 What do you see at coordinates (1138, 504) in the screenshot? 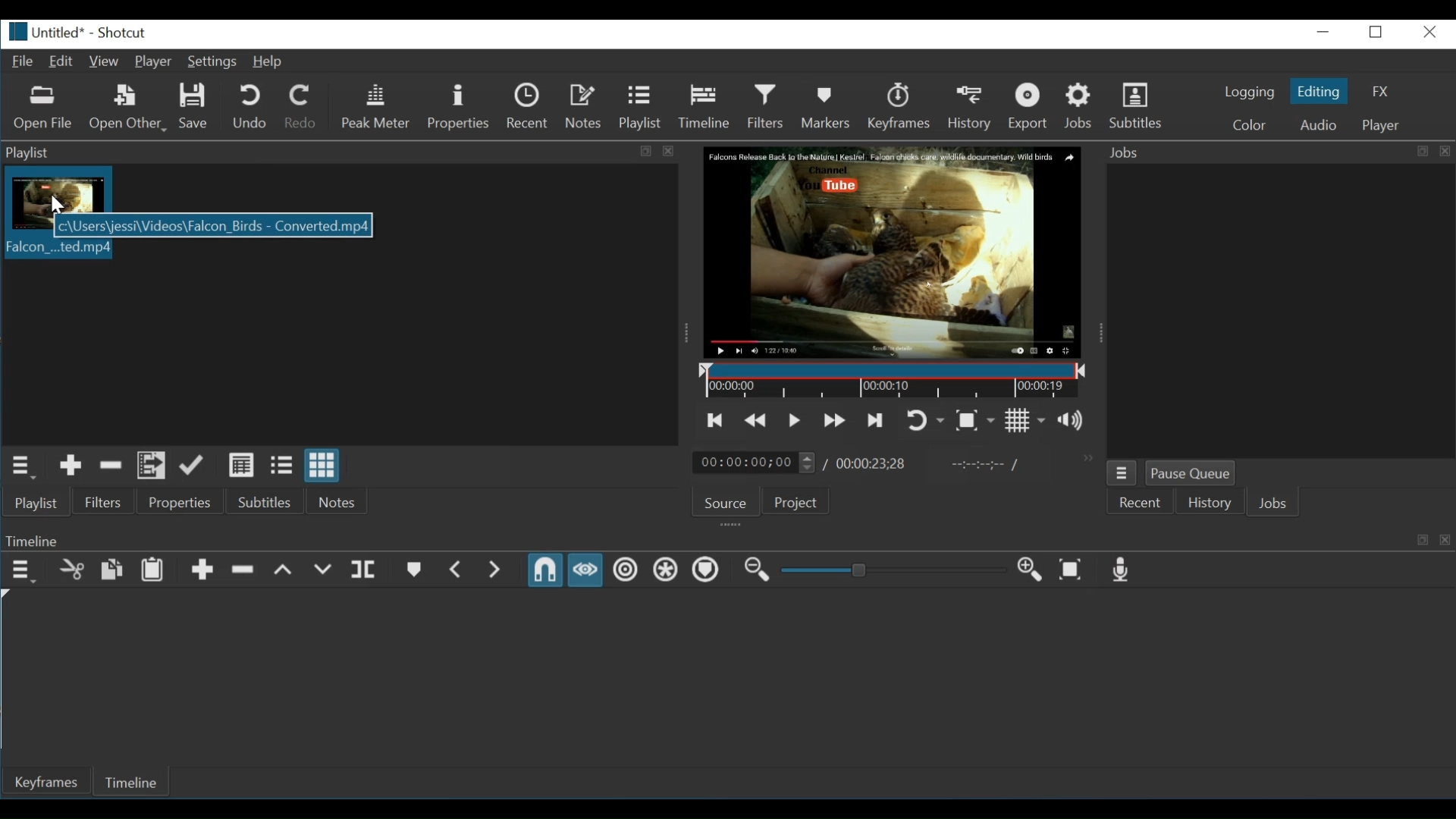
I see `Recent` at bounding box center [1138, 504].